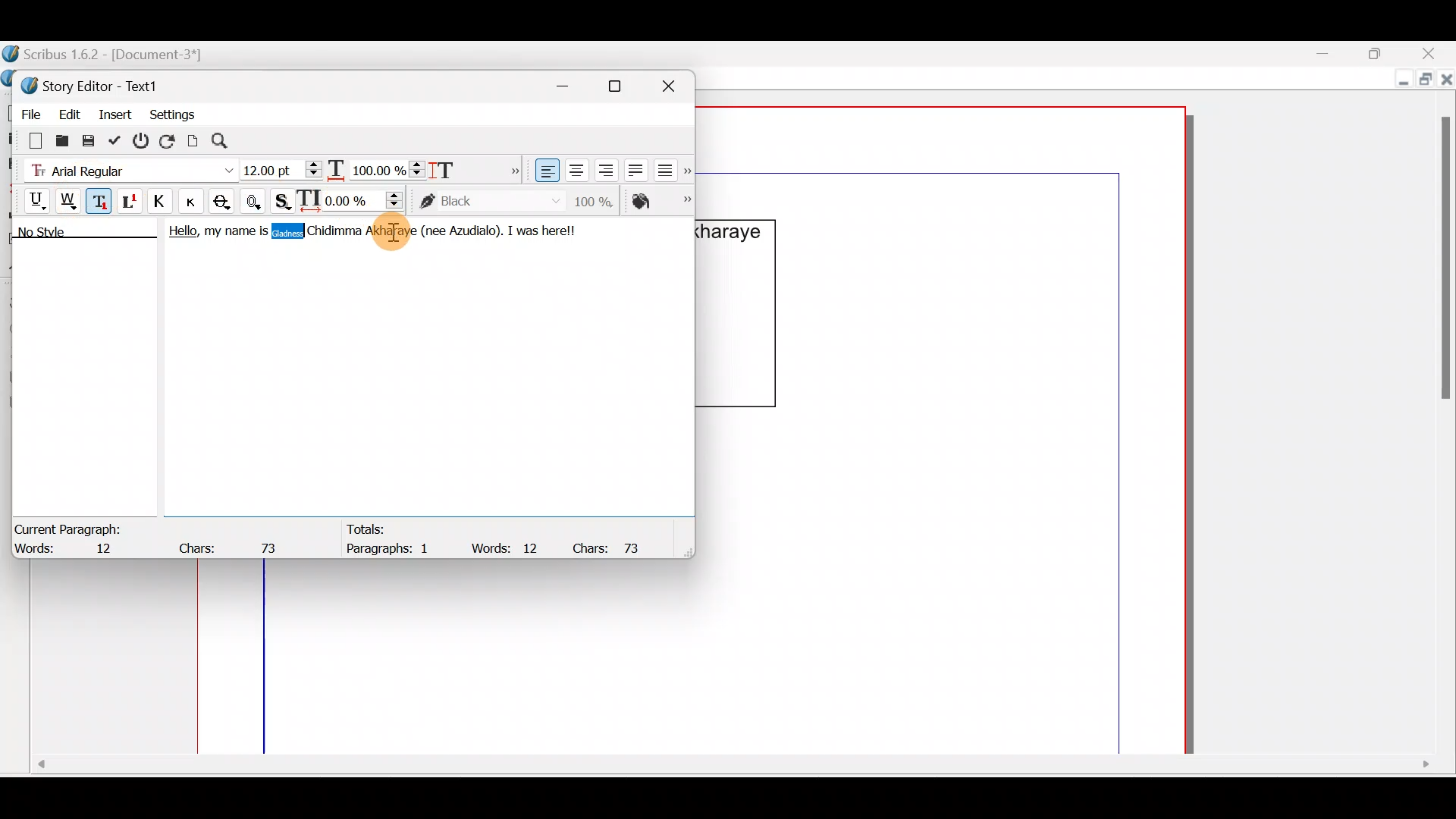 The width and height of the screenshot is (1456, 819). What do you see at coordinates (508, 548) in the screenshot?
I see `Words: 12` at bounding box center [508, 548].